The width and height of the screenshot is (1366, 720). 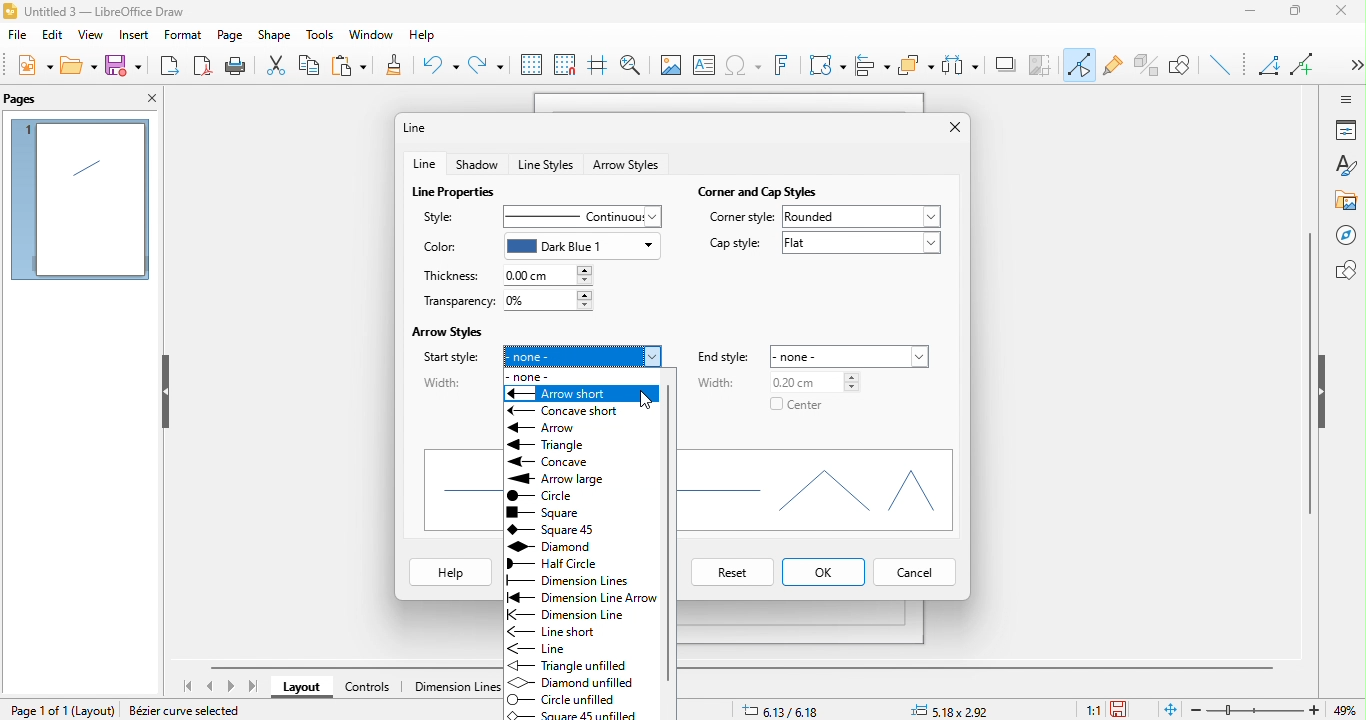 What do you see at coordinates (529, 374) in the screenshot?
I see `none` at bounding box center [529, 374].